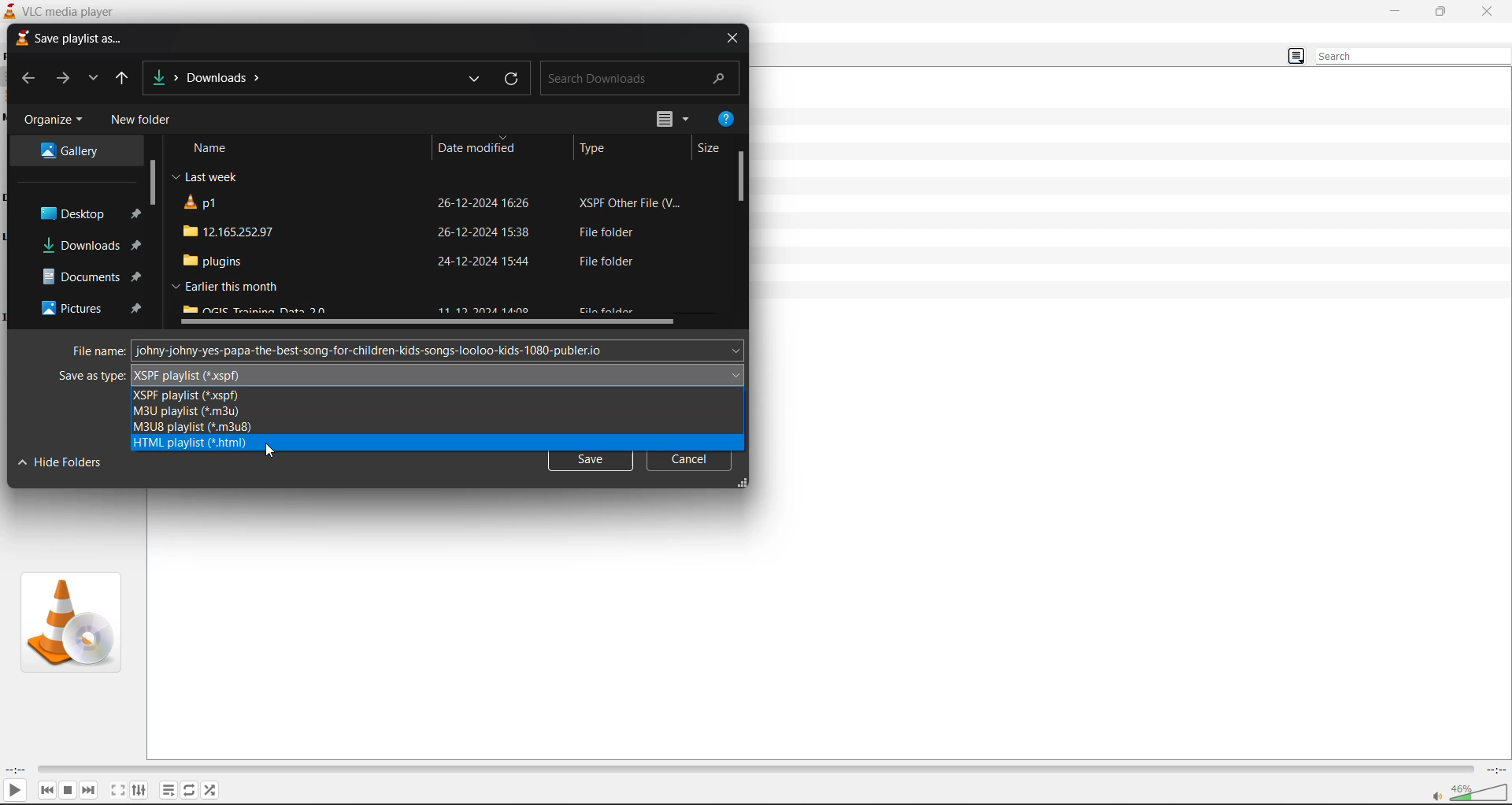  I want to click on previous, so click(43, 790).